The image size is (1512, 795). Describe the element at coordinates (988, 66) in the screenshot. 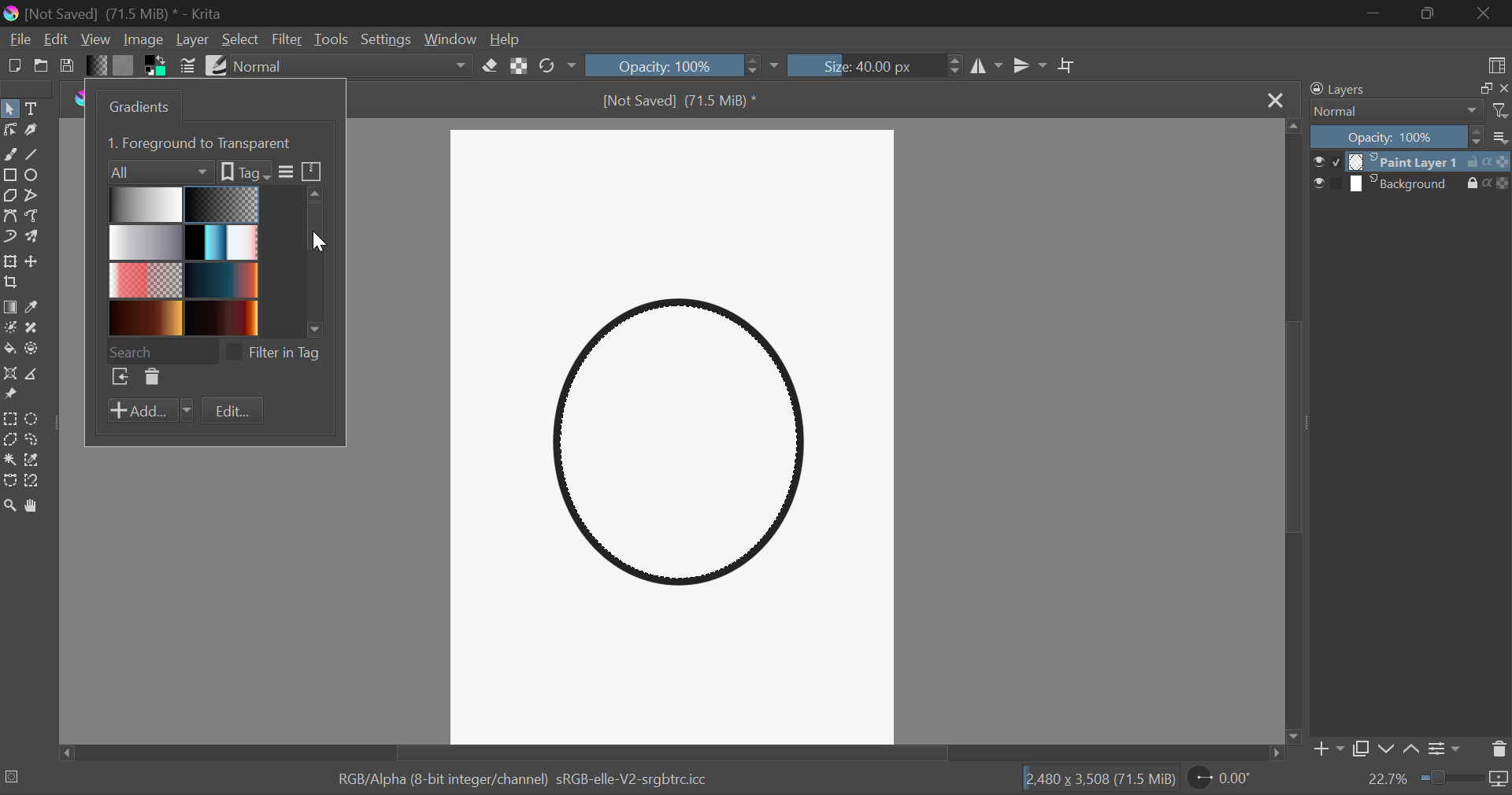

I see `Vertical Mirror Flip` at that location.